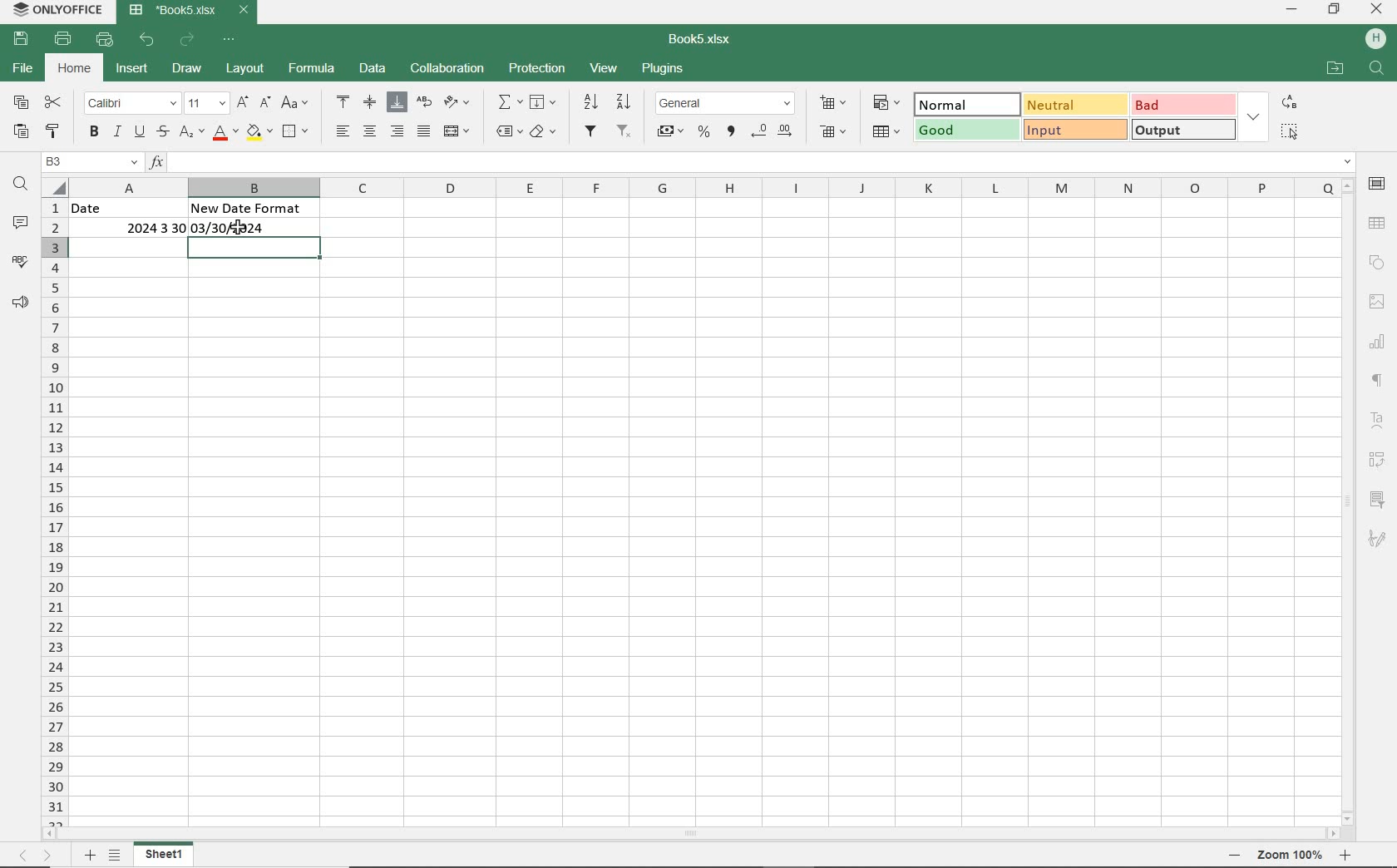  Describe the element at coordinates (1380, 382) in the screenshot. I see `PARAGRAPH SETTINGS` at that location.